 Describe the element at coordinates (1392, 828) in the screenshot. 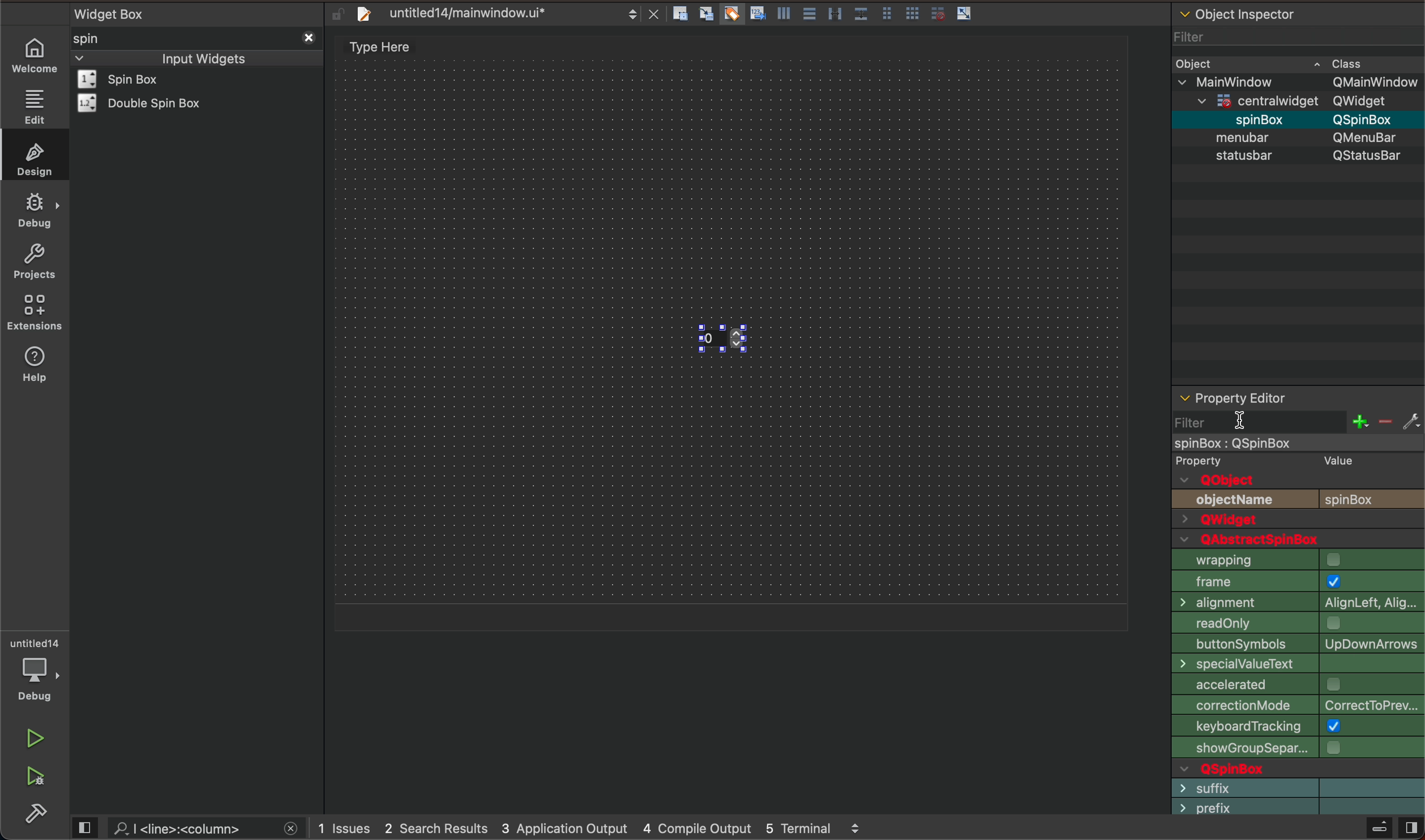

I see `close sidebar` at that location.